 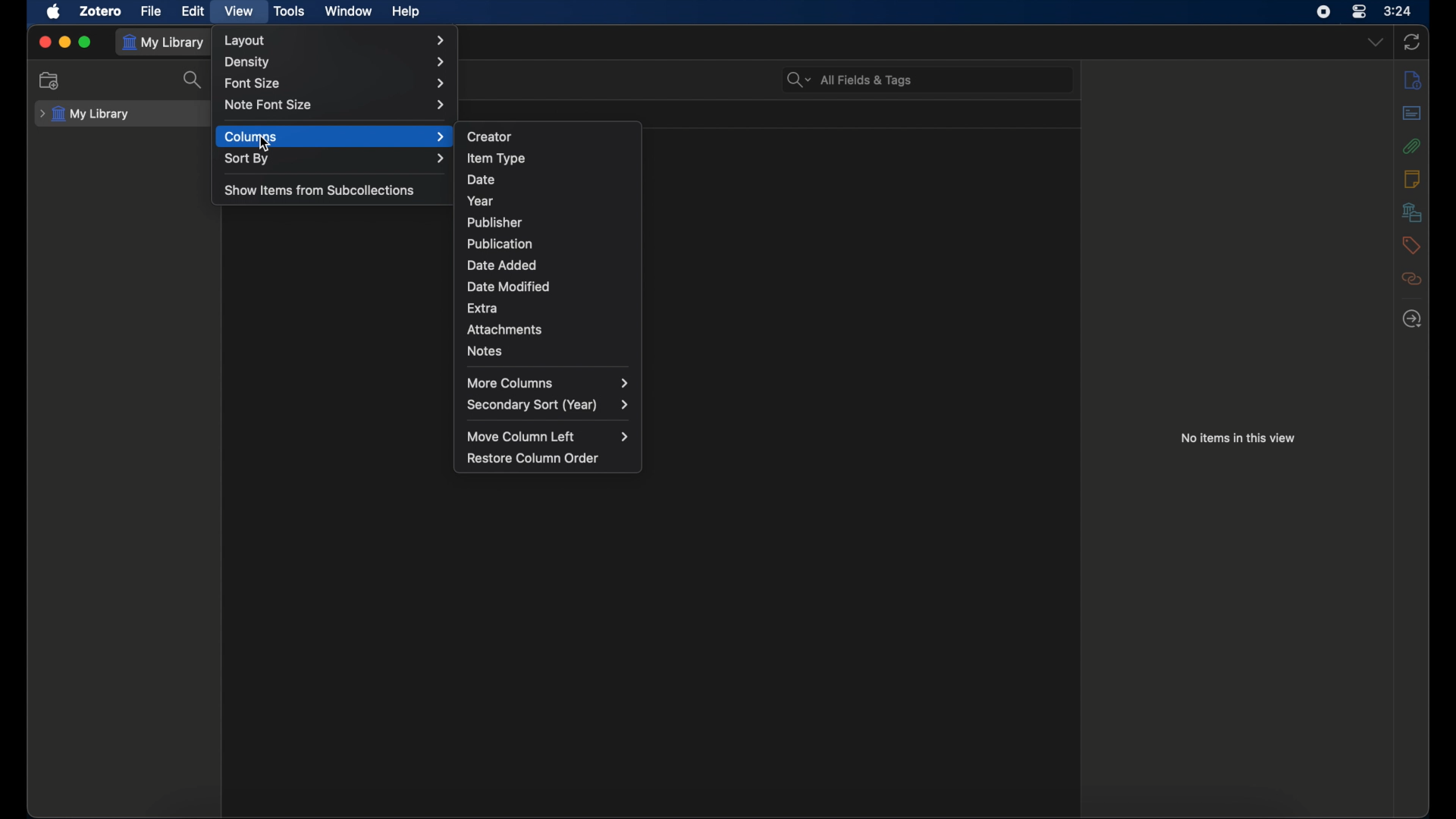 What do you see at coordinates (1412, 112) in the screenshot?
I see `abstract` at bounding box center [1412, 112].